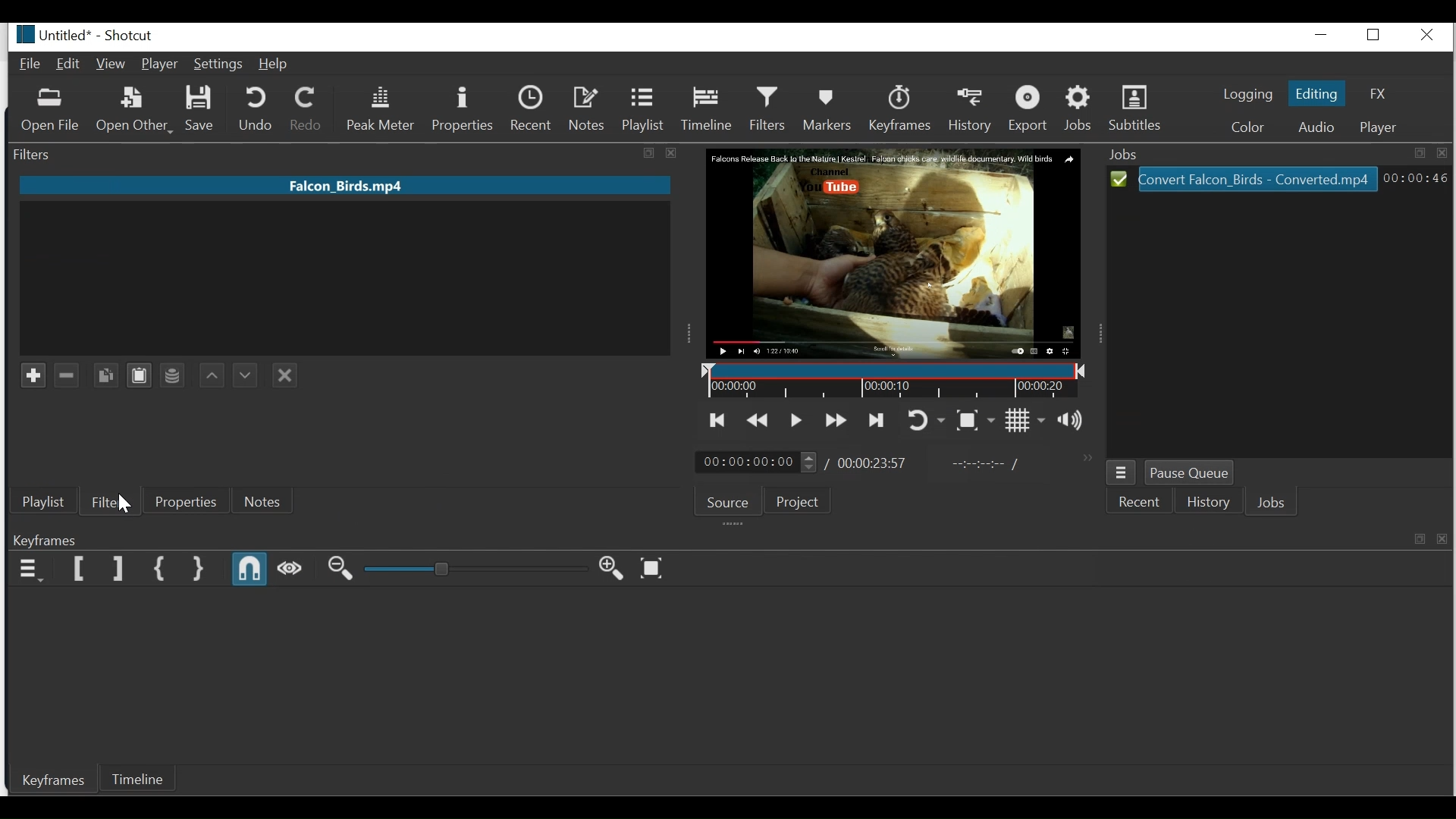 This screenshot has height=819, width=1456. I want to click on Set First Simple keyframe, so click(161, 570).